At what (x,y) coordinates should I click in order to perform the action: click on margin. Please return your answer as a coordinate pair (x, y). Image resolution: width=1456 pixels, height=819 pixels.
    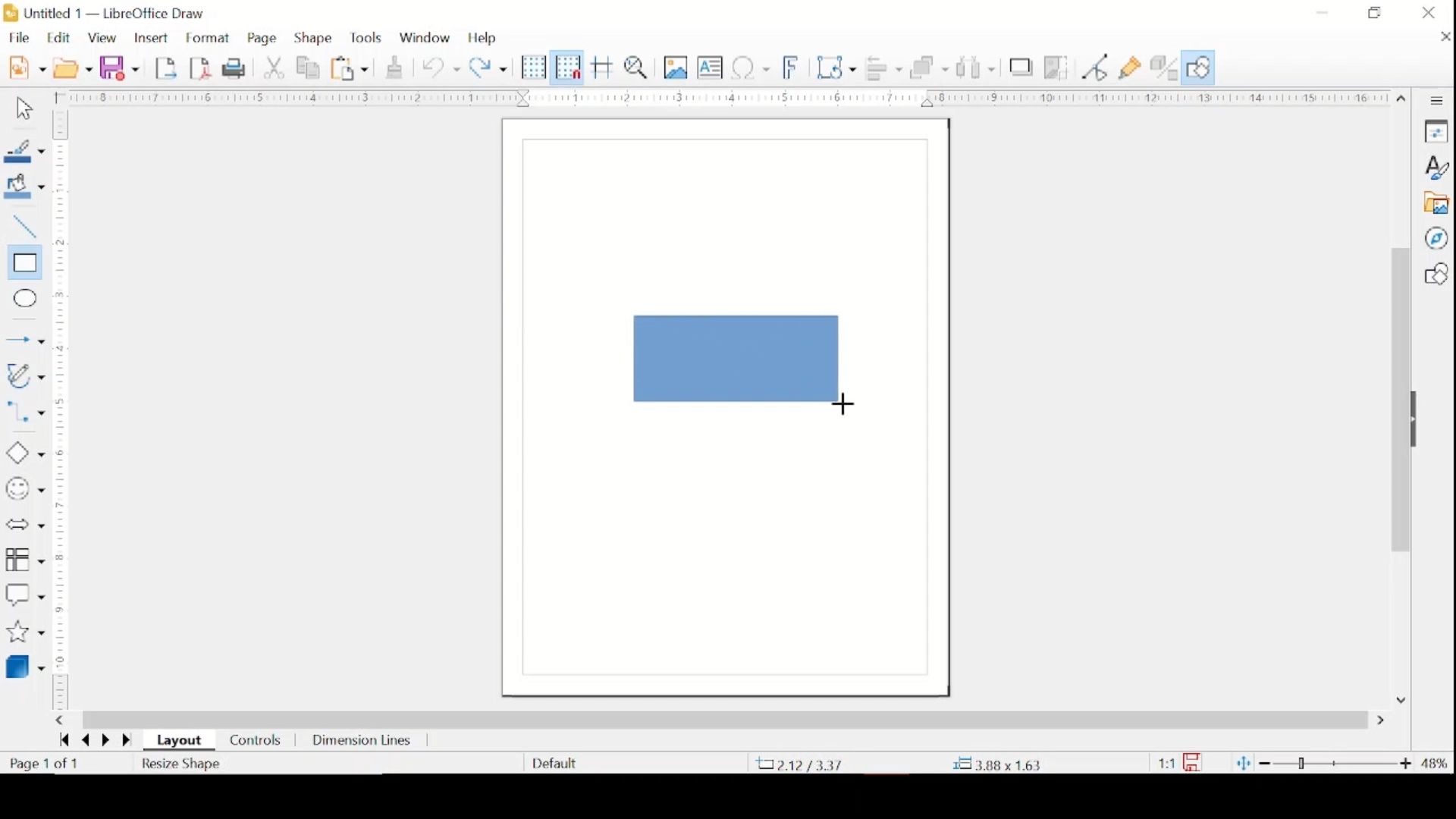
    Looking at the image, I should click on (61, 409).